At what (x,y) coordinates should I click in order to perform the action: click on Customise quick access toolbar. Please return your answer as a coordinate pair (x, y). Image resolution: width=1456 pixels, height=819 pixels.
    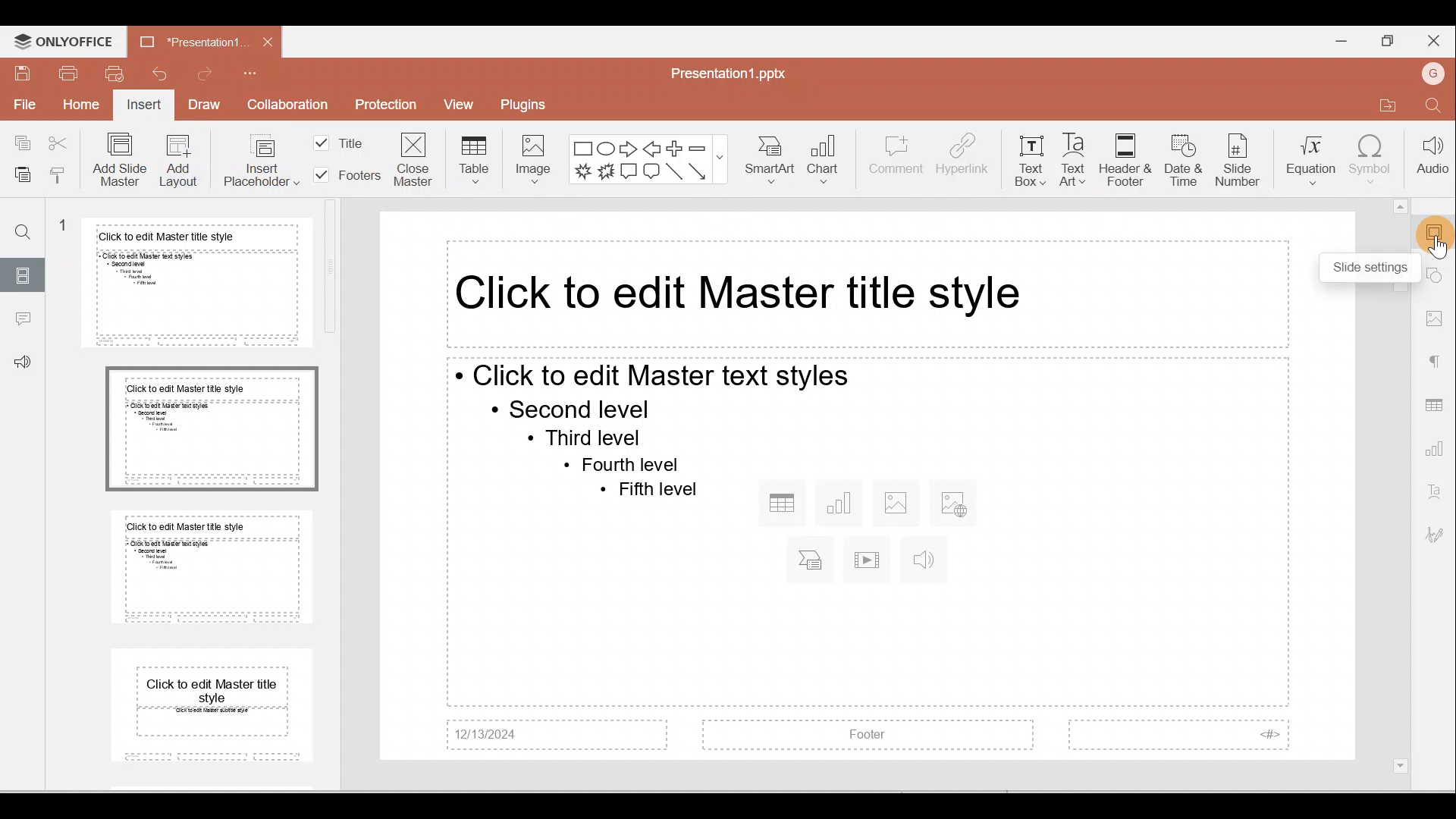
    Looking at the image, I should click on (265, 70).